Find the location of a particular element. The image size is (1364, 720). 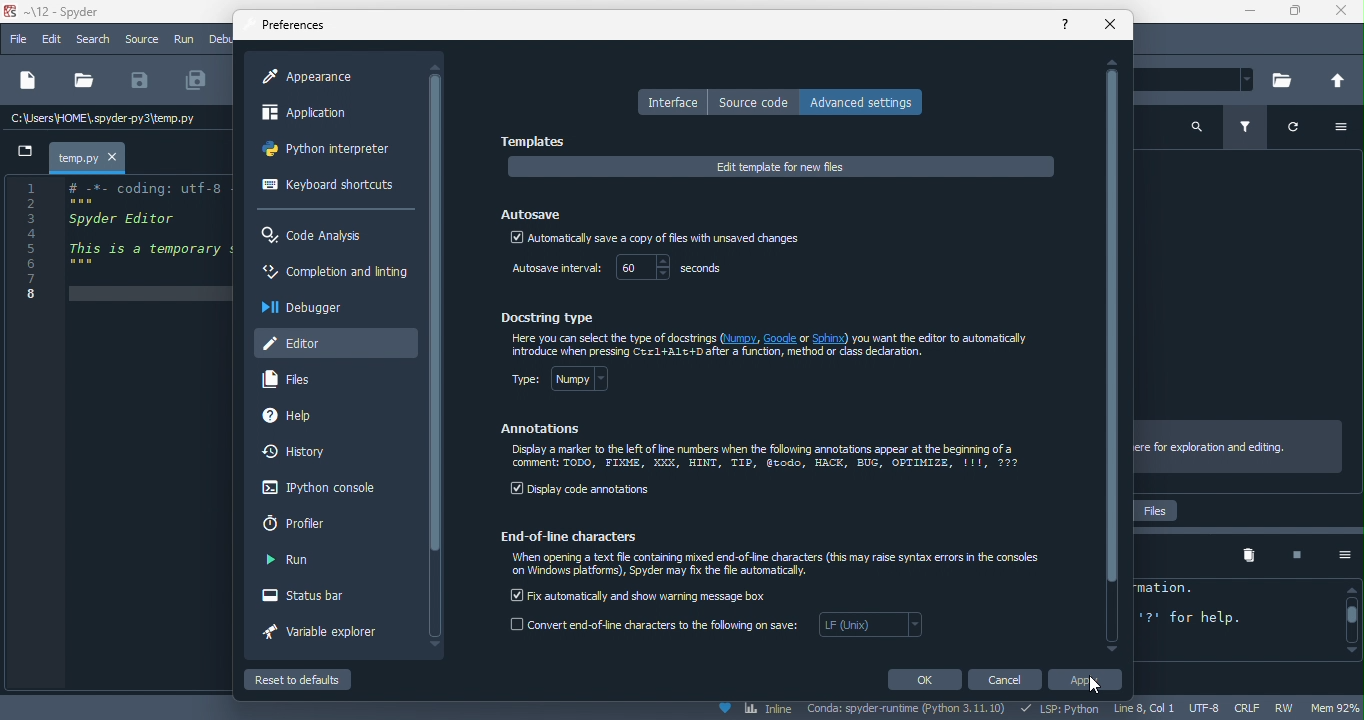

open is located at coordinates (83, 81).